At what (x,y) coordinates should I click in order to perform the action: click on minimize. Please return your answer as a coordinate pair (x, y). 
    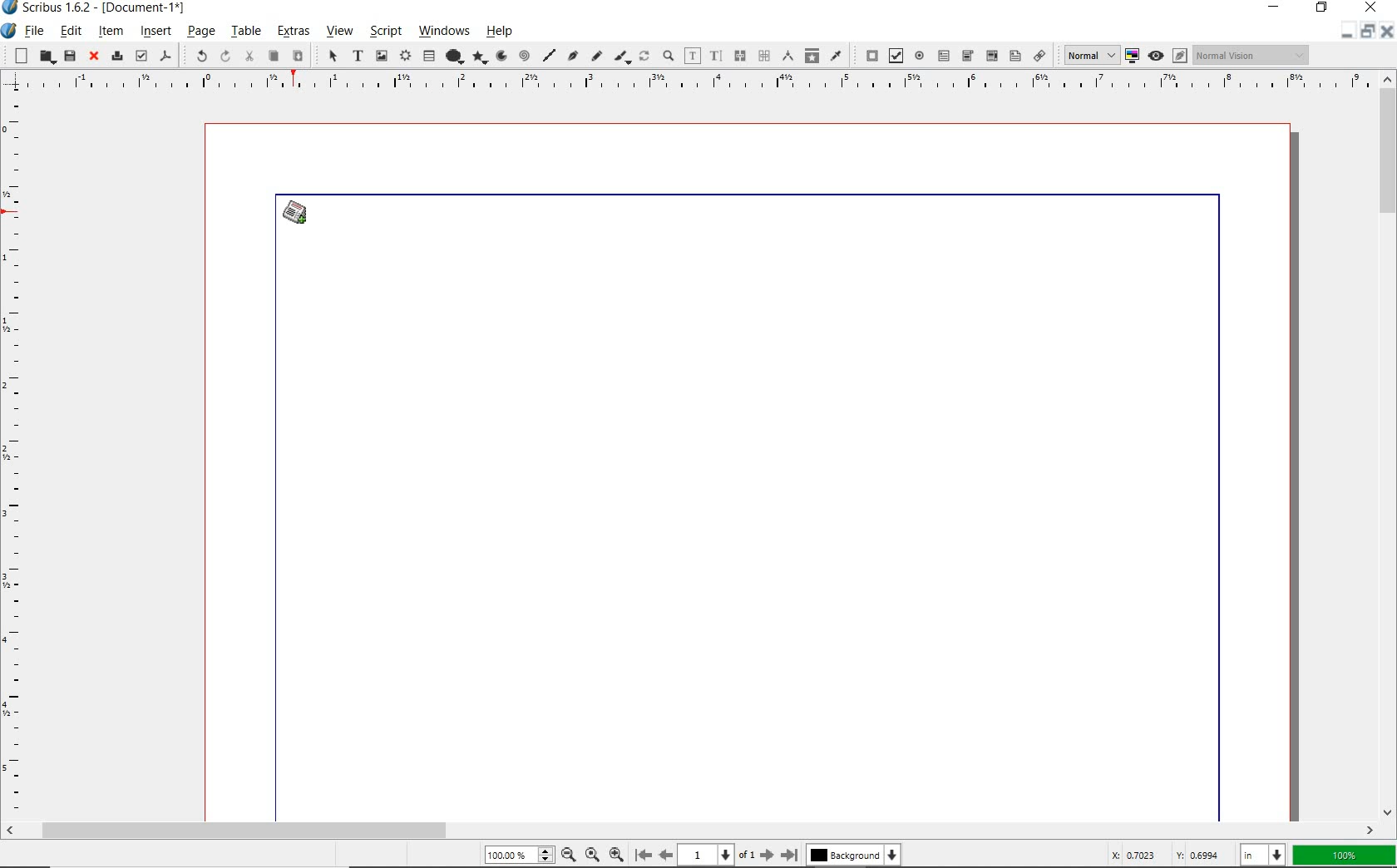
    Looking at the image, I should click on (1278, 7).